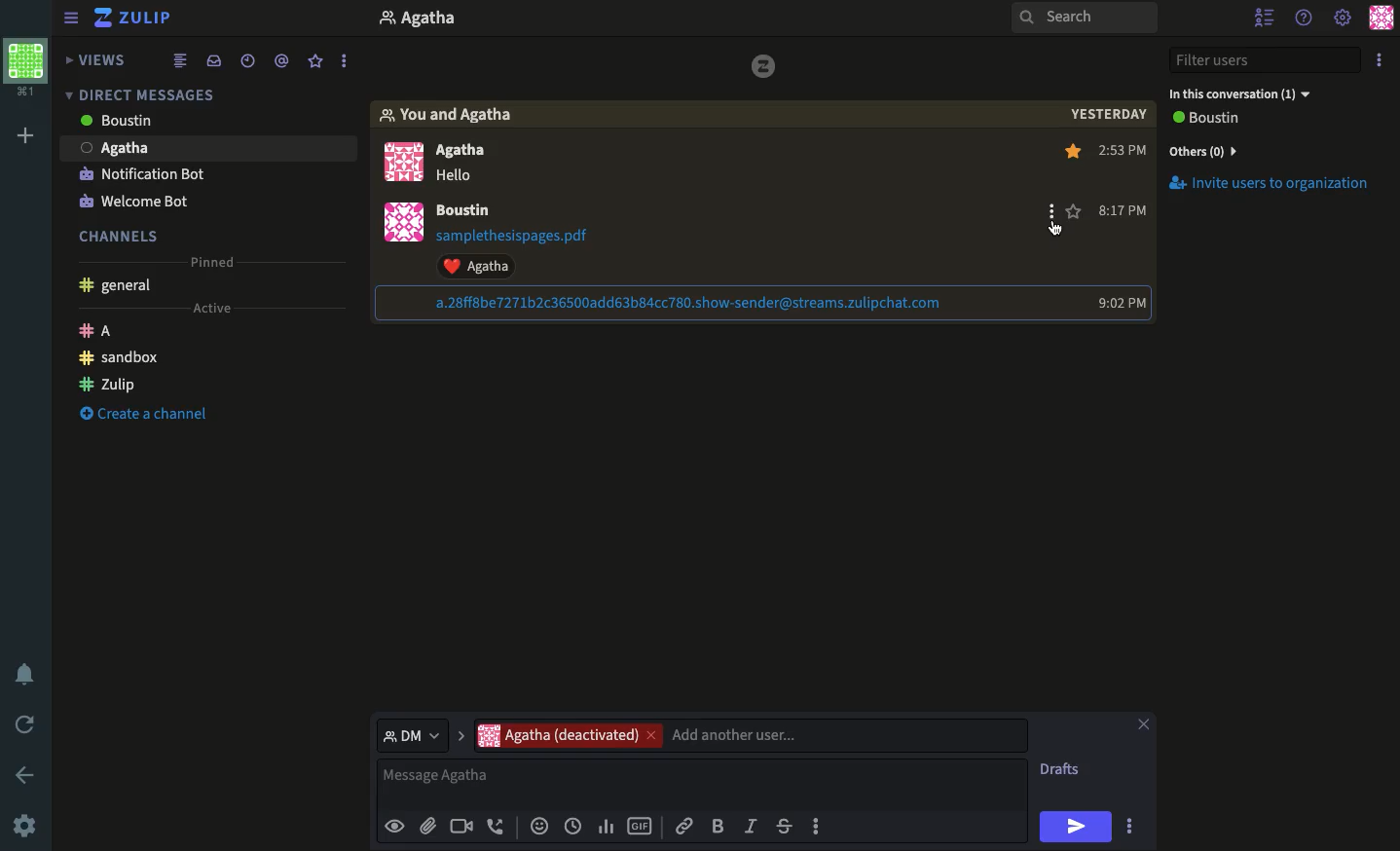 This screenshot has width=1400, height=851. Describe the element at coordinates (121, 358) in the screenshot. I see `Sandbox` at that location.